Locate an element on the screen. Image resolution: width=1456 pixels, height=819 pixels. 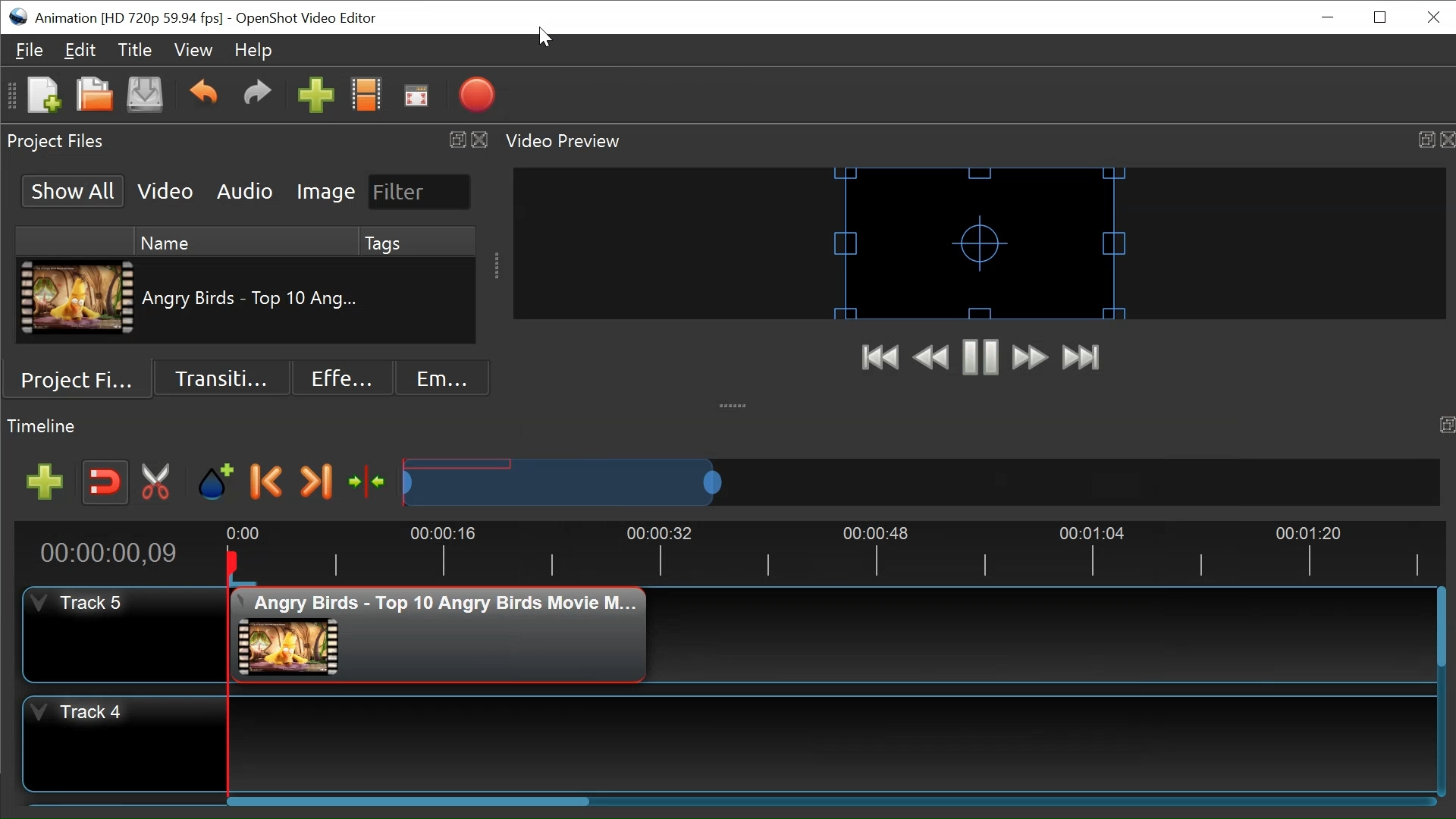
Previe Window is located at coordinates (981, 243).